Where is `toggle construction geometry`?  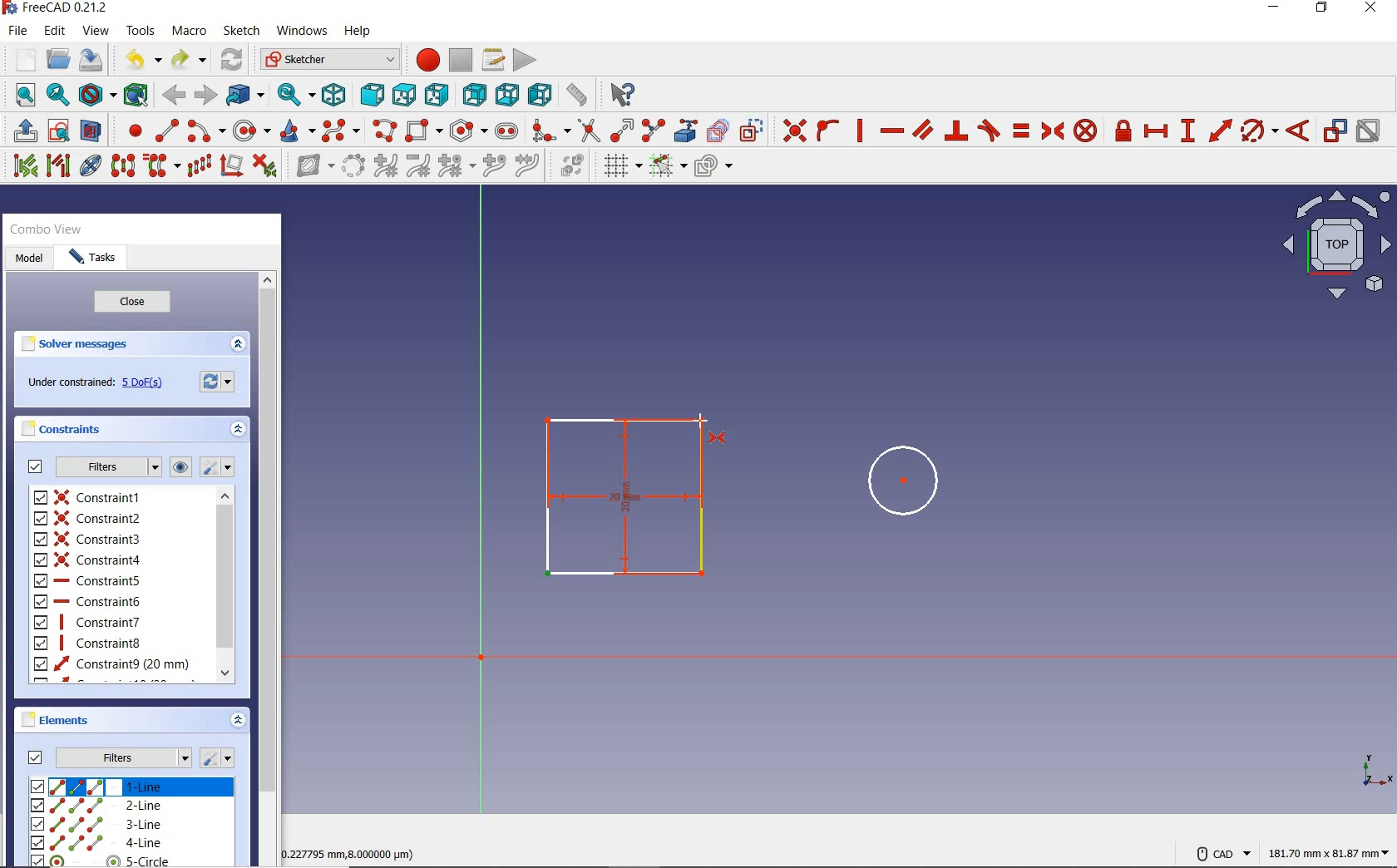
toggle construction geometry is located at coordinates (753, 128).